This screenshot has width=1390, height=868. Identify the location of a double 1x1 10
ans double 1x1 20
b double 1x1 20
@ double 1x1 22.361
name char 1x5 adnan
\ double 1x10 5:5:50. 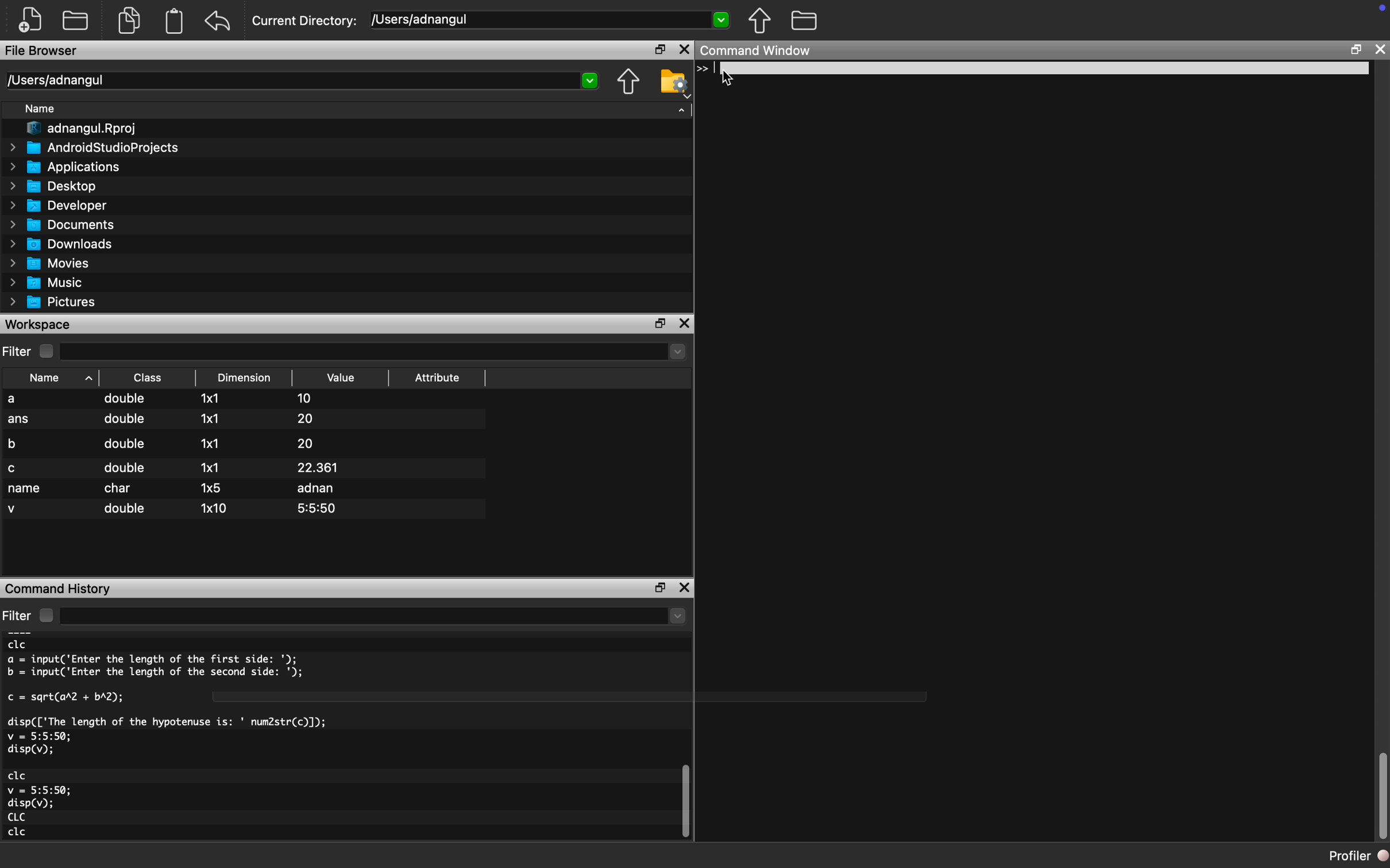
(245, 458).